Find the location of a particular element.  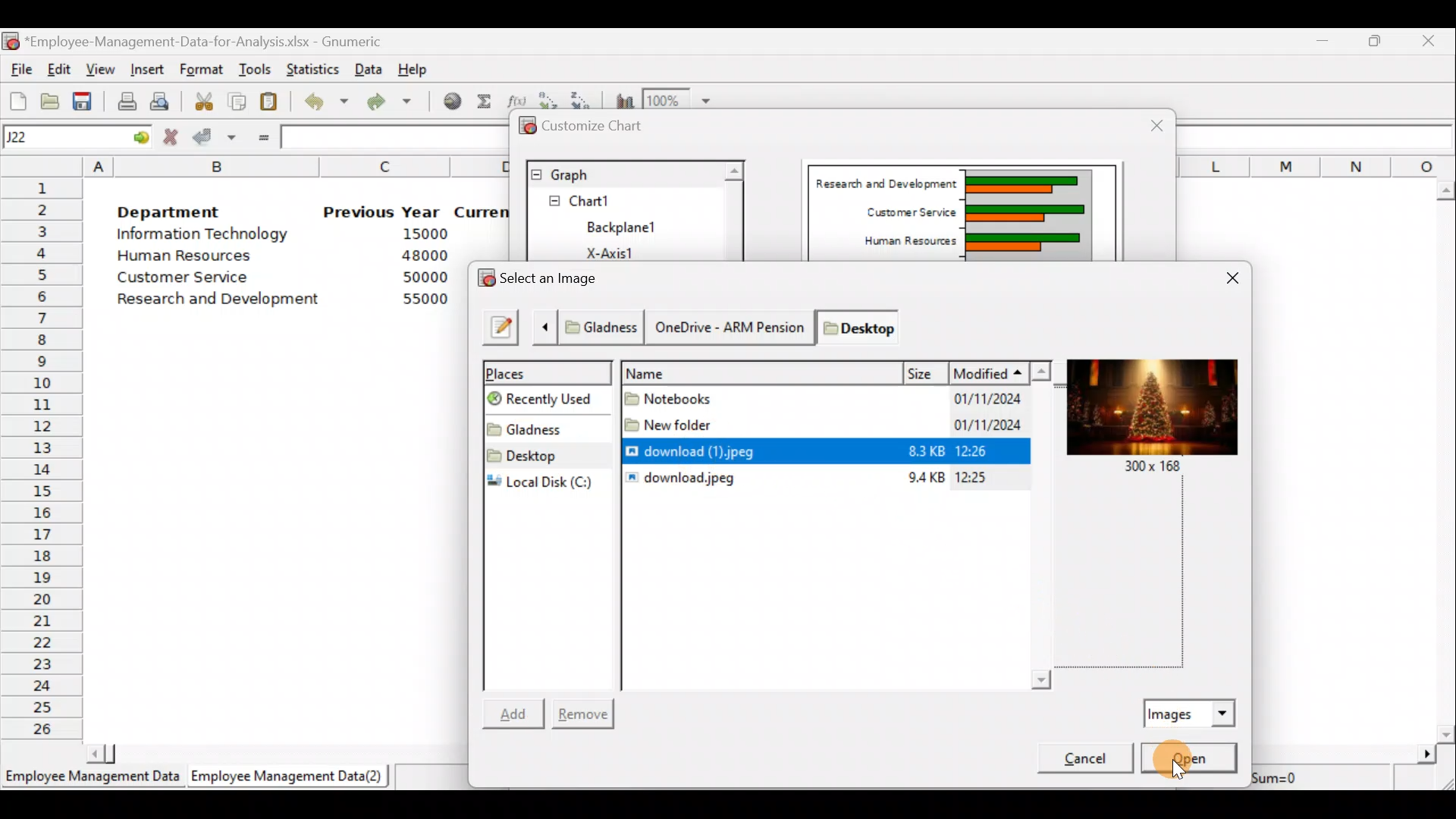

Cursor on open is located at coordinates (1205, 756).